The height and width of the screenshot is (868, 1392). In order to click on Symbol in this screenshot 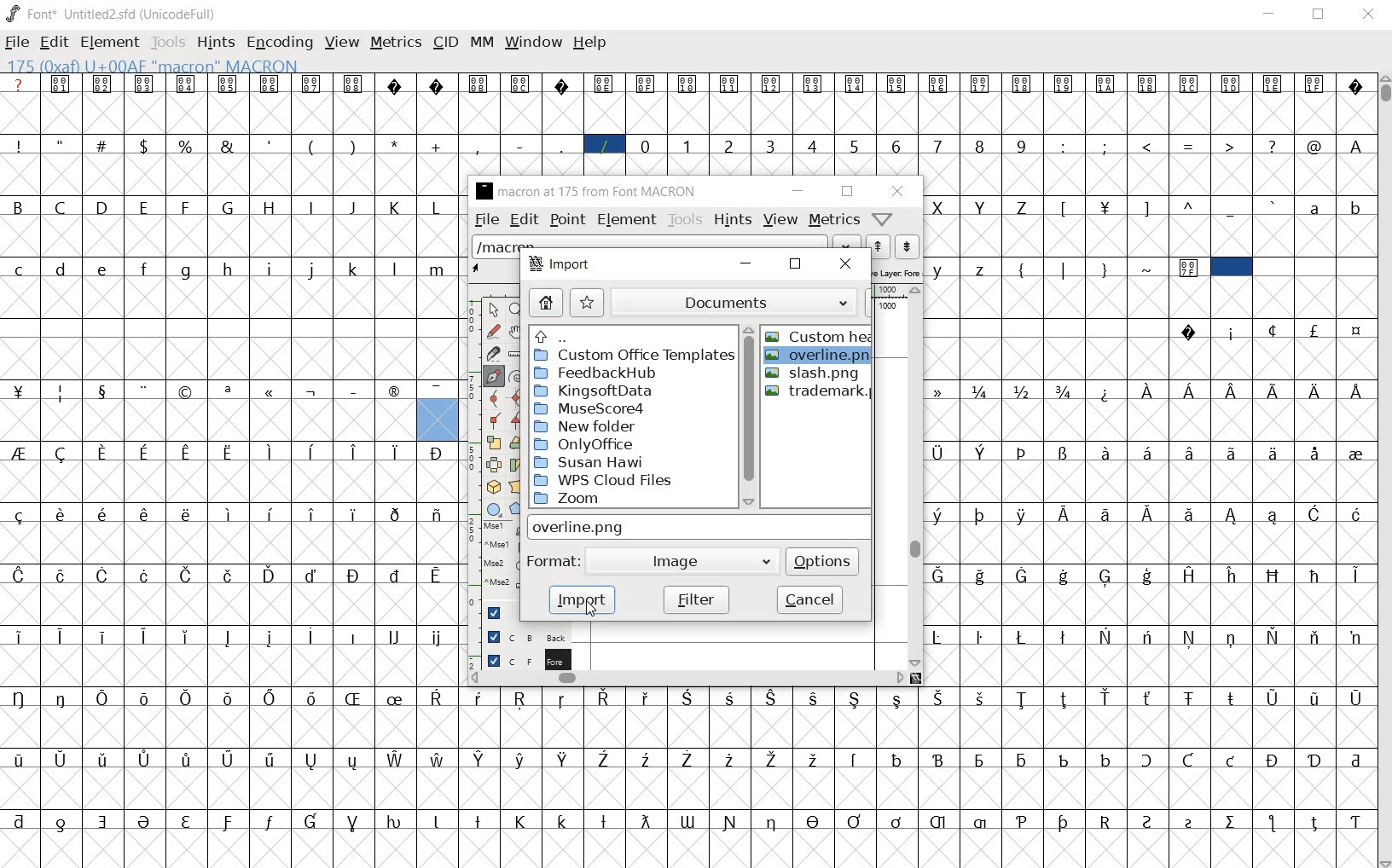, I will do `click(1315, 389)`.